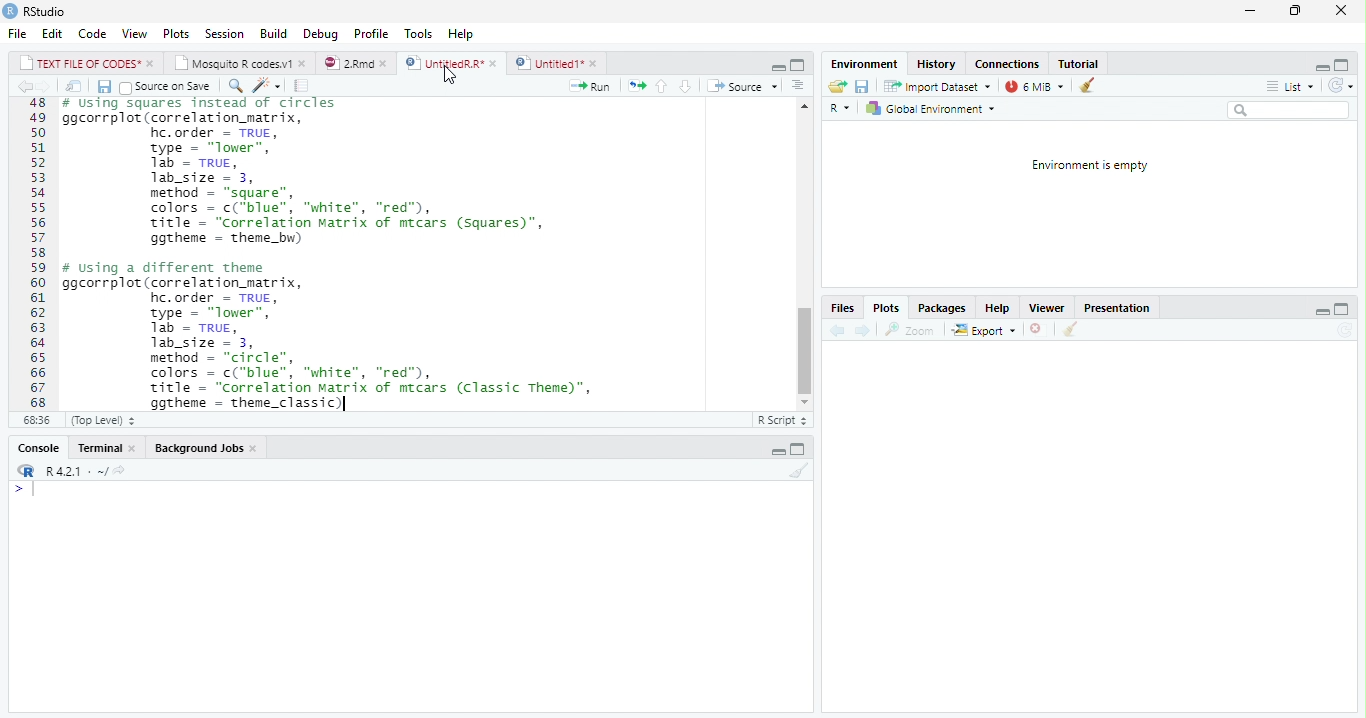 The width and height of the screenshot is (1366, 718). What do you see at coordinates (266, 89) in the screenshot?
I see `code tools` at bounding box center [266, 89].